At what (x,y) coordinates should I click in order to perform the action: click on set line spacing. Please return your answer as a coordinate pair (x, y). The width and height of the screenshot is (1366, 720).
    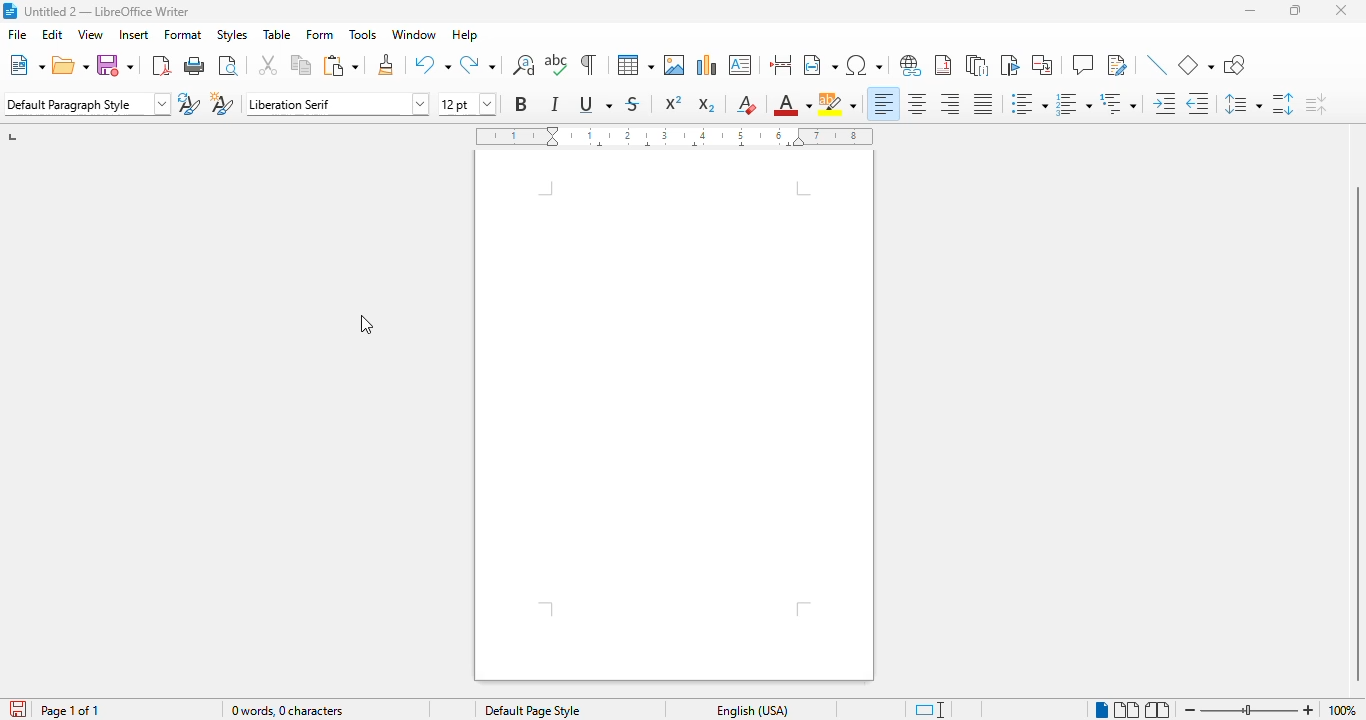
    Looking at the image, I should click on (1243, 103).